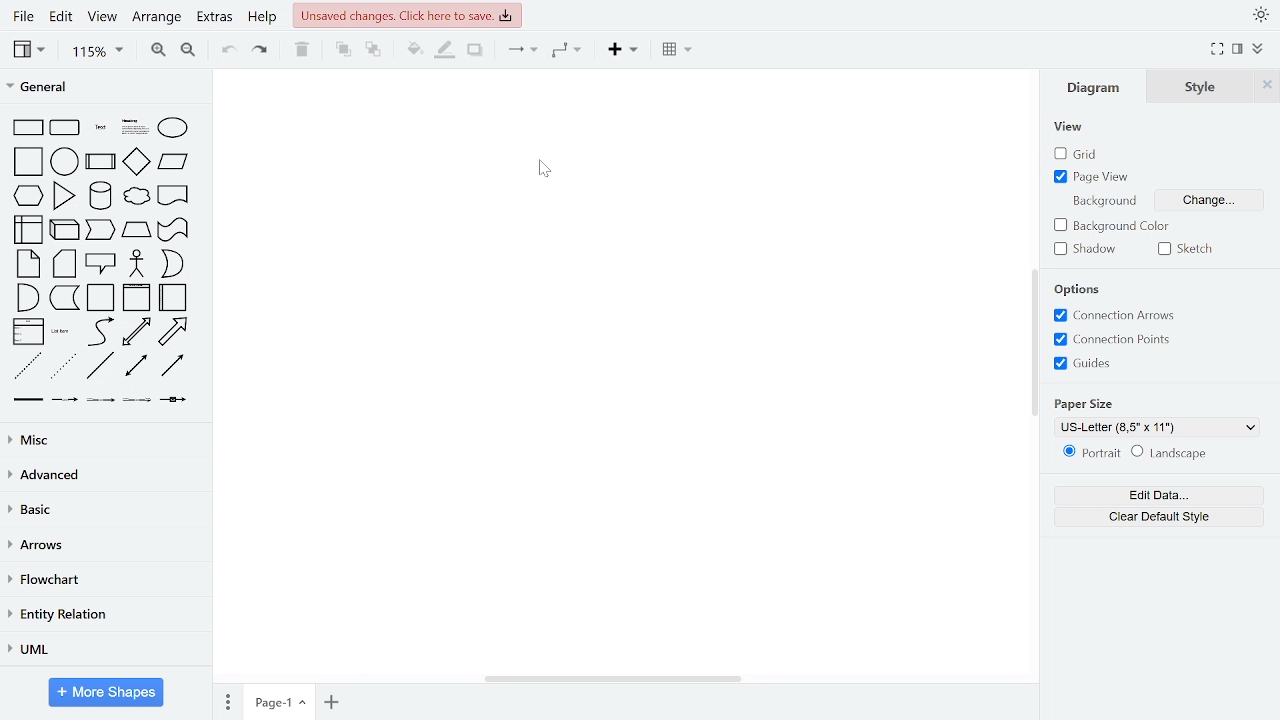 Image resolution: width=1280 pixels, height=720 pixels. Describe the element at coordinates (174, 128) in the screenshot. I see `ellipse` at that location.